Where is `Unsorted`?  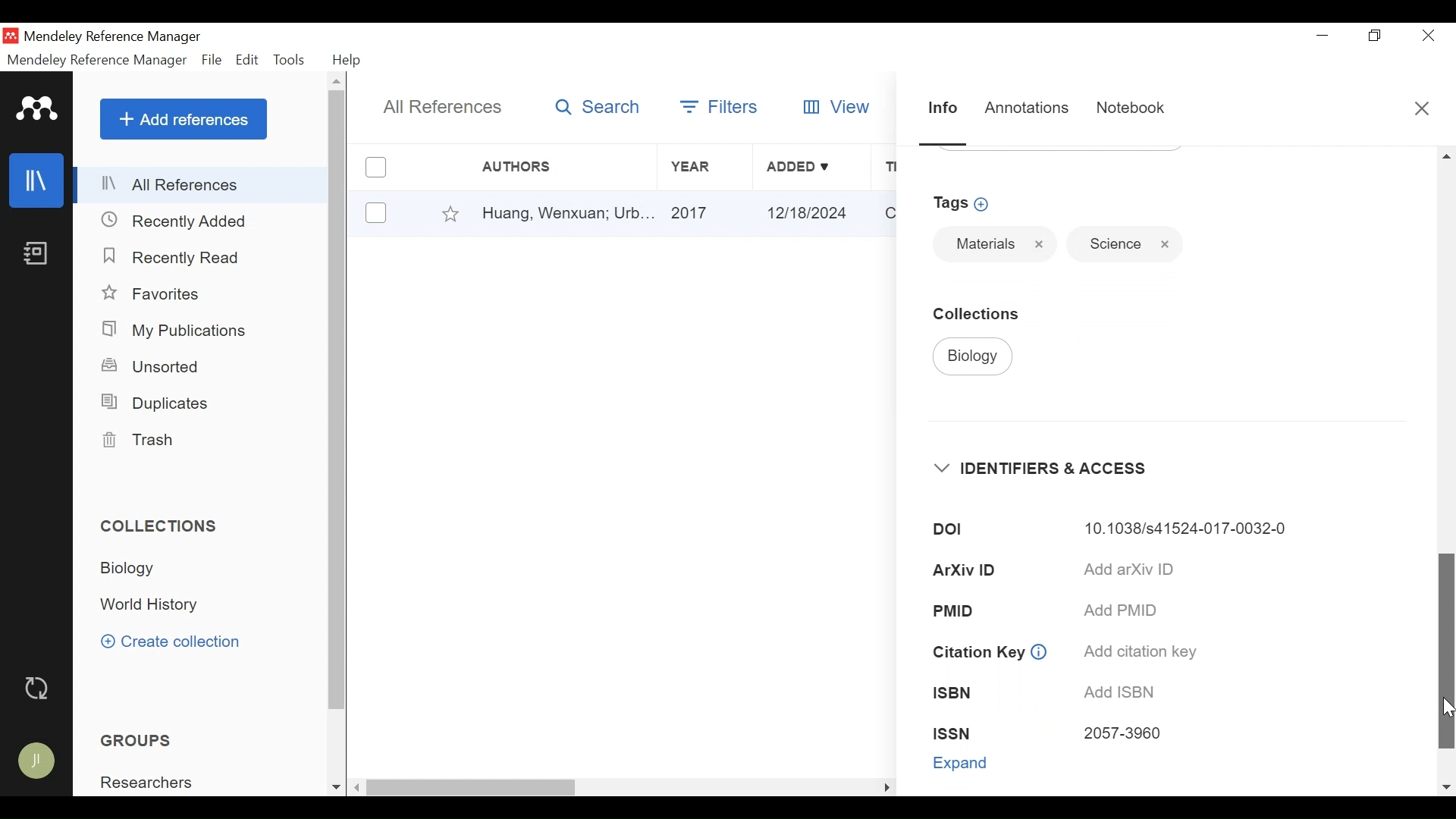
Unsorted is located at coordinates (152, 366).